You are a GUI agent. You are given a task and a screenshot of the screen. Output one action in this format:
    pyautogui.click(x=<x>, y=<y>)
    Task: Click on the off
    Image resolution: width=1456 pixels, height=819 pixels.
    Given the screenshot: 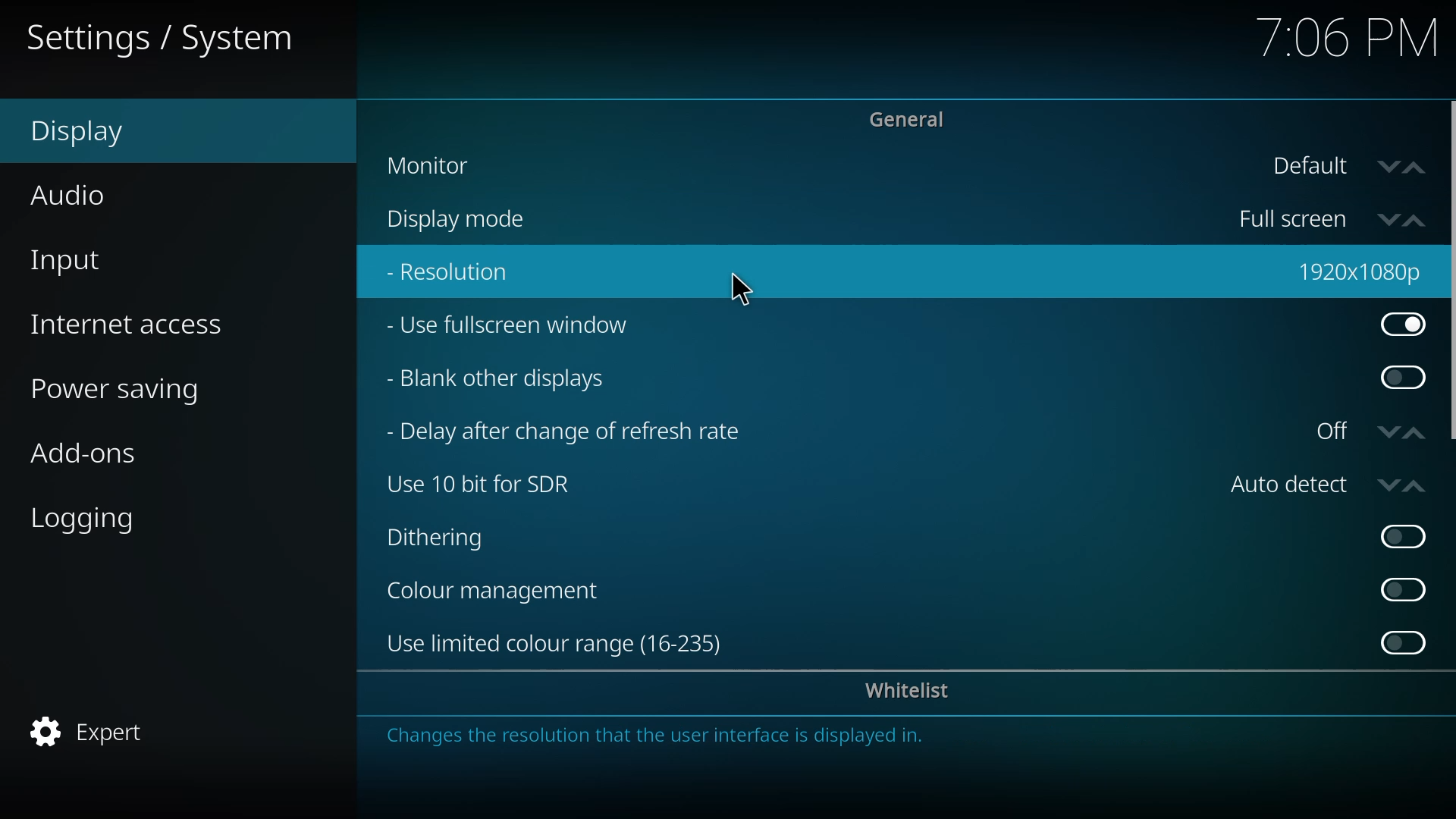 What is the action you would take?
    pyautogui.click(x=1371, y=430)
    